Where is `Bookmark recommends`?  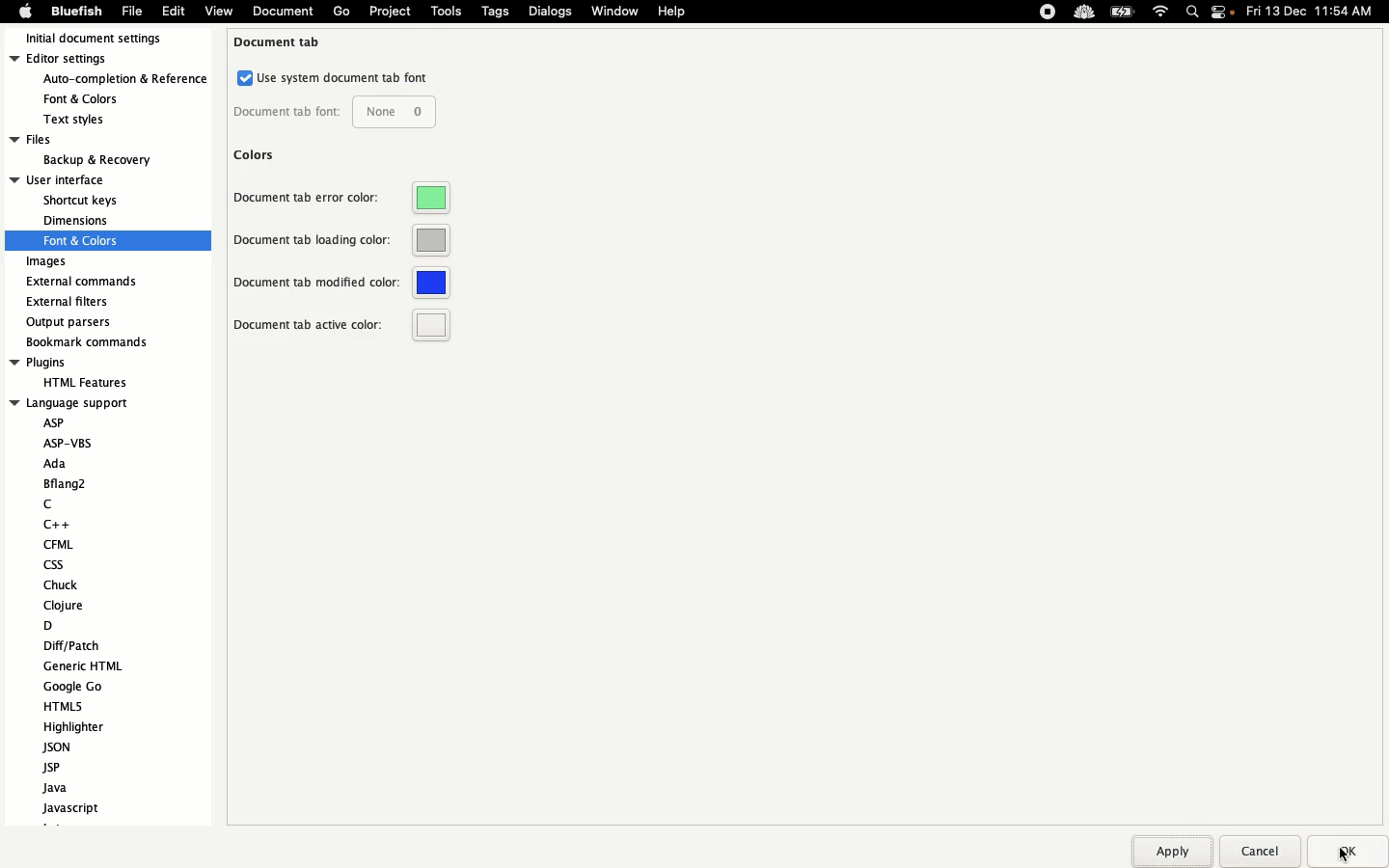
Bookmark recommends is located at coordinates (89, 340).